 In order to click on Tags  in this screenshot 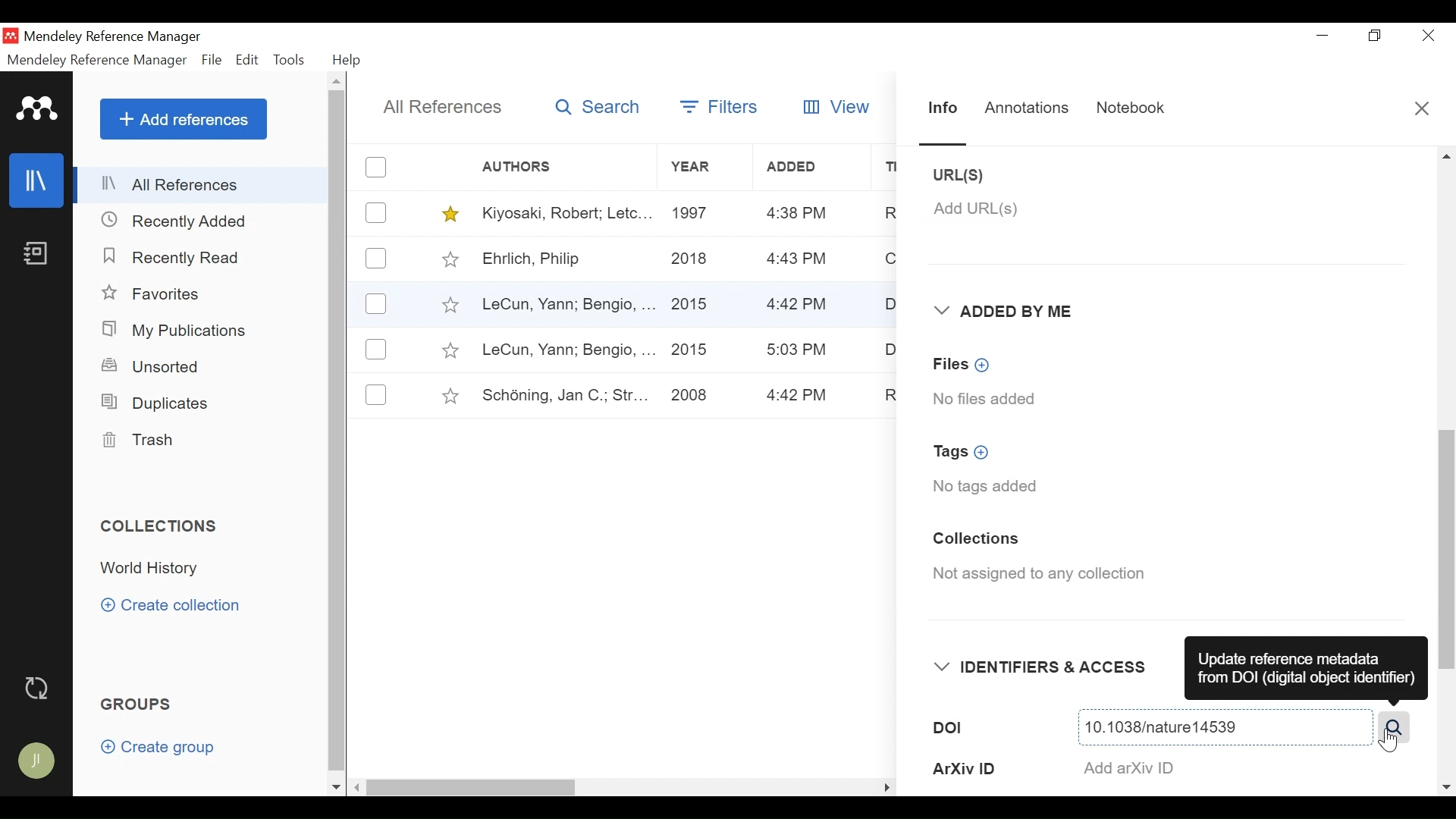, I will do `click(968, 453)`.